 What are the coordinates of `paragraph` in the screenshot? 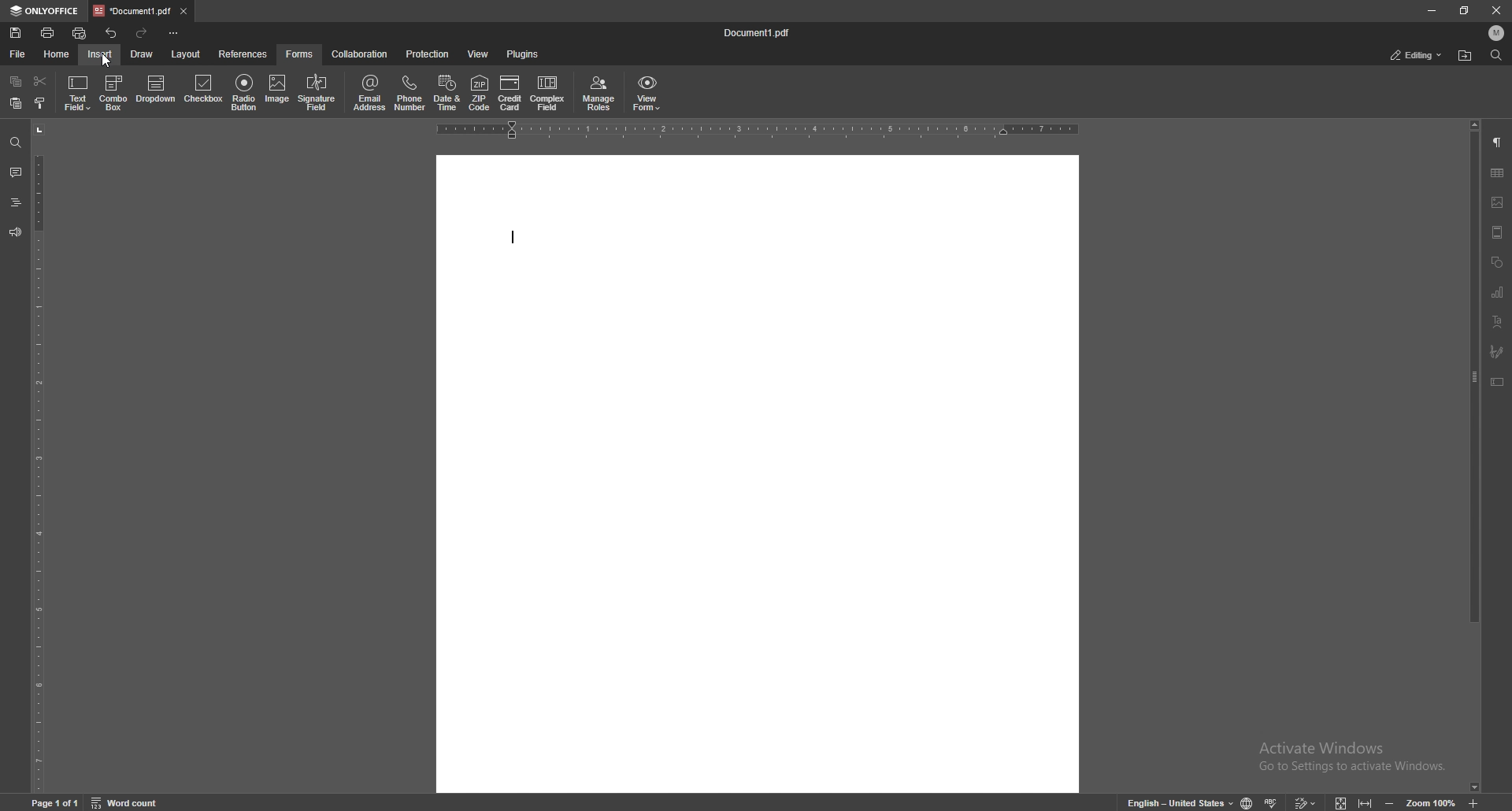 It's located at (1498, 143).